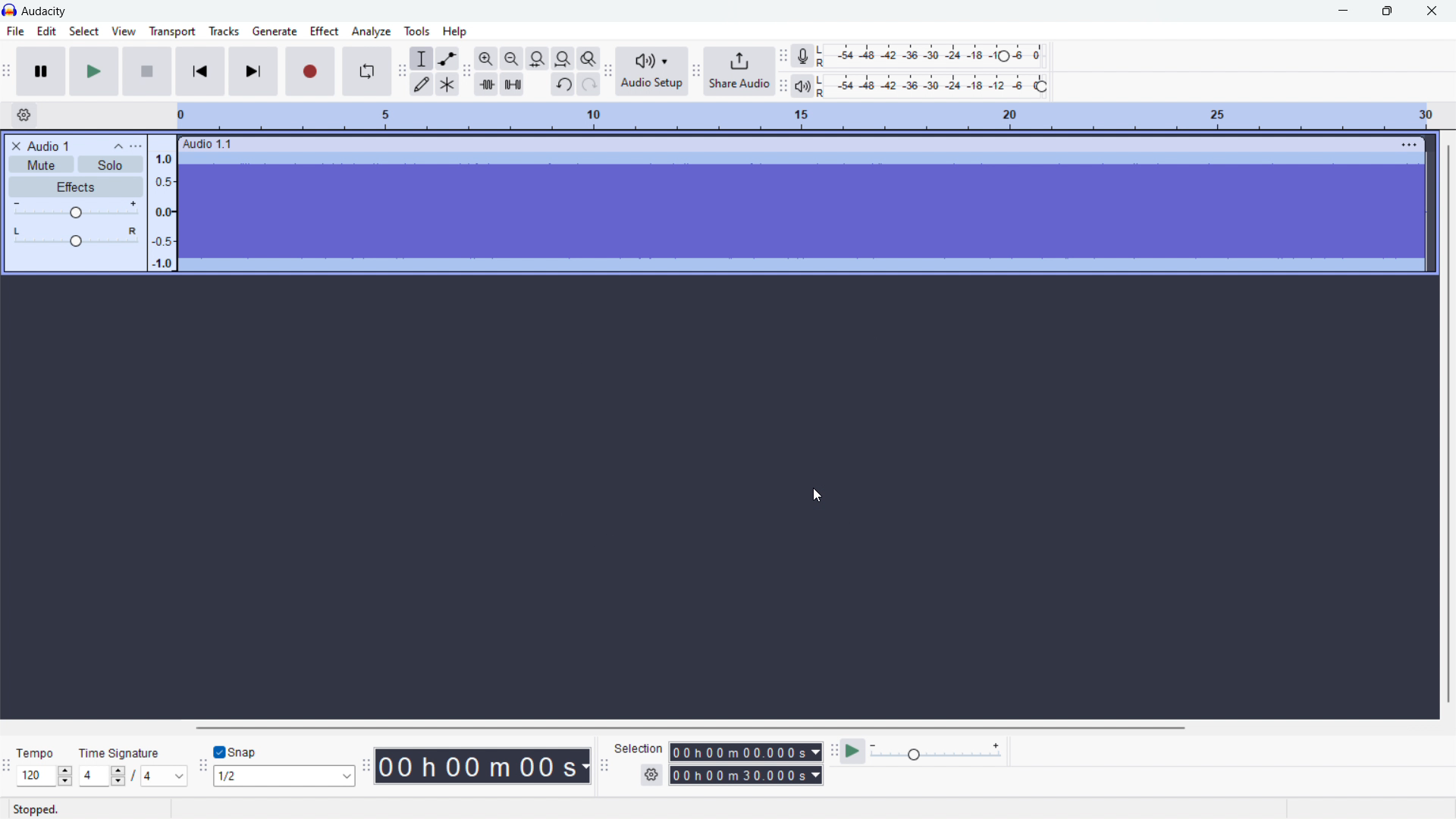 The width and height of the screenshot is (1456, 819). I want to click on Time, so click(37, 752).